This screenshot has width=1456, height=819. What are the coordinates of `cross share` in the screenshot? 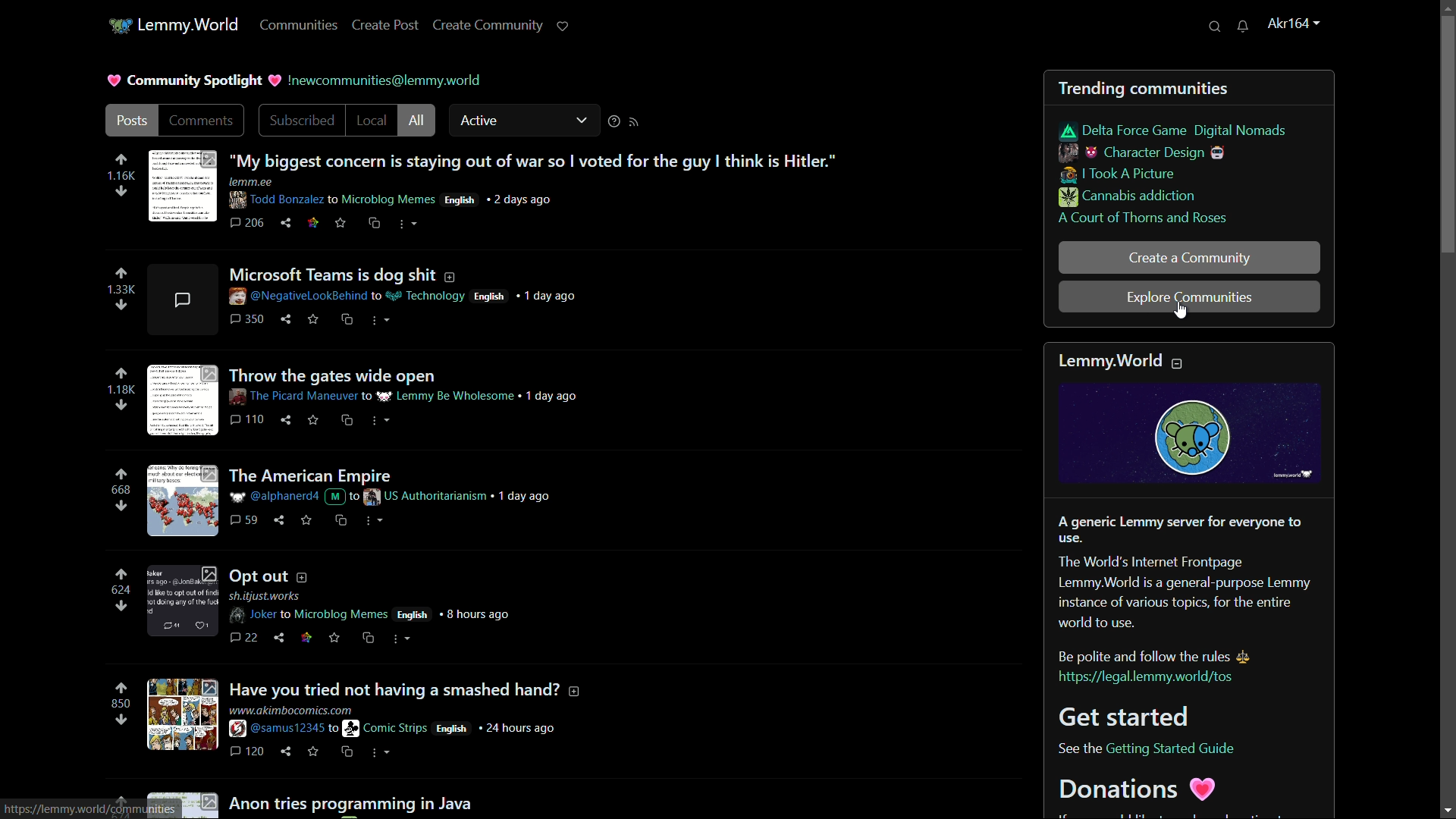 It's located at (350, 752).